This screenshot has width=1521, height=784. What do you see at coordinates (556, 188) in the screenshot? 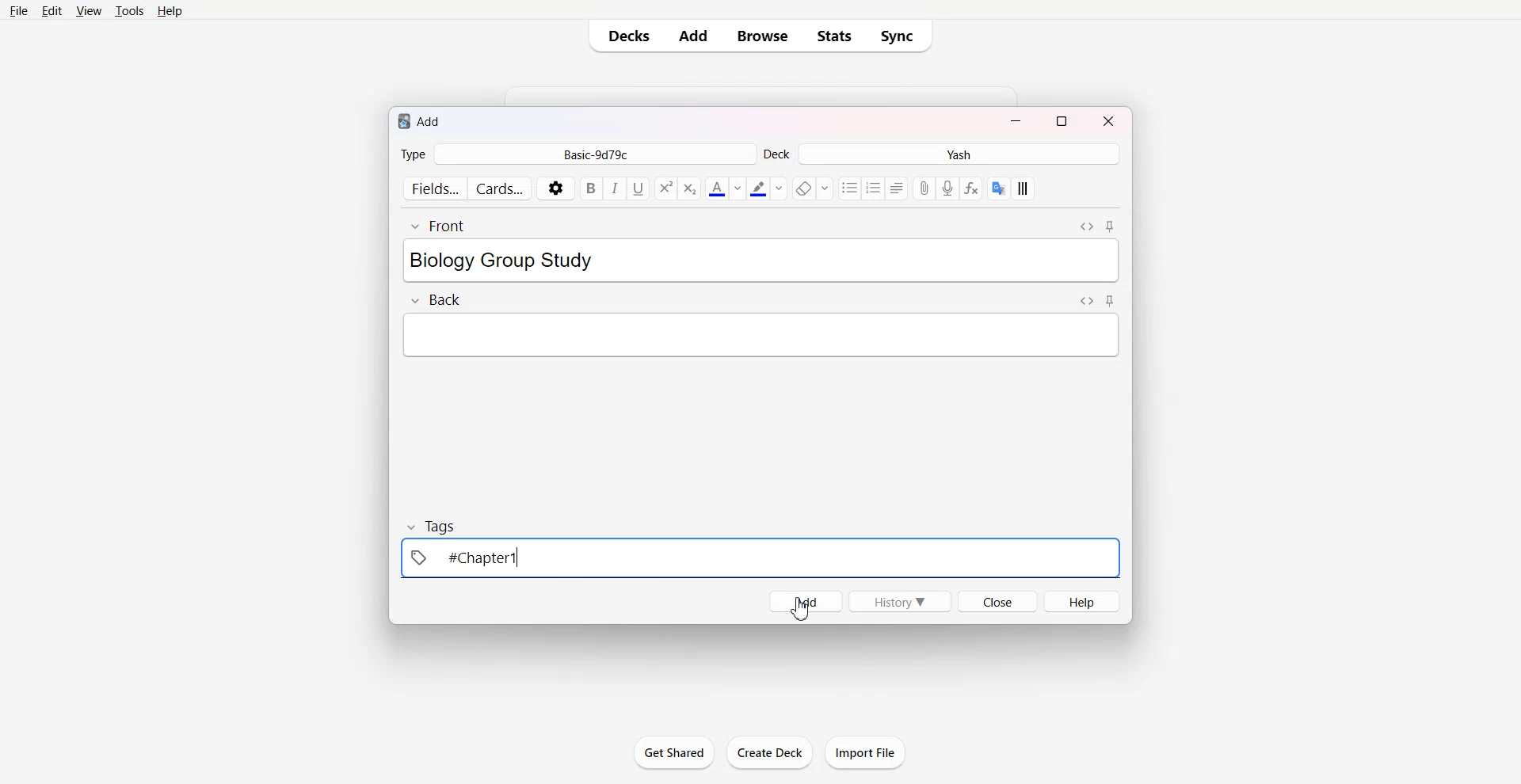
I see `Settings` at bounding box center [556, 188].